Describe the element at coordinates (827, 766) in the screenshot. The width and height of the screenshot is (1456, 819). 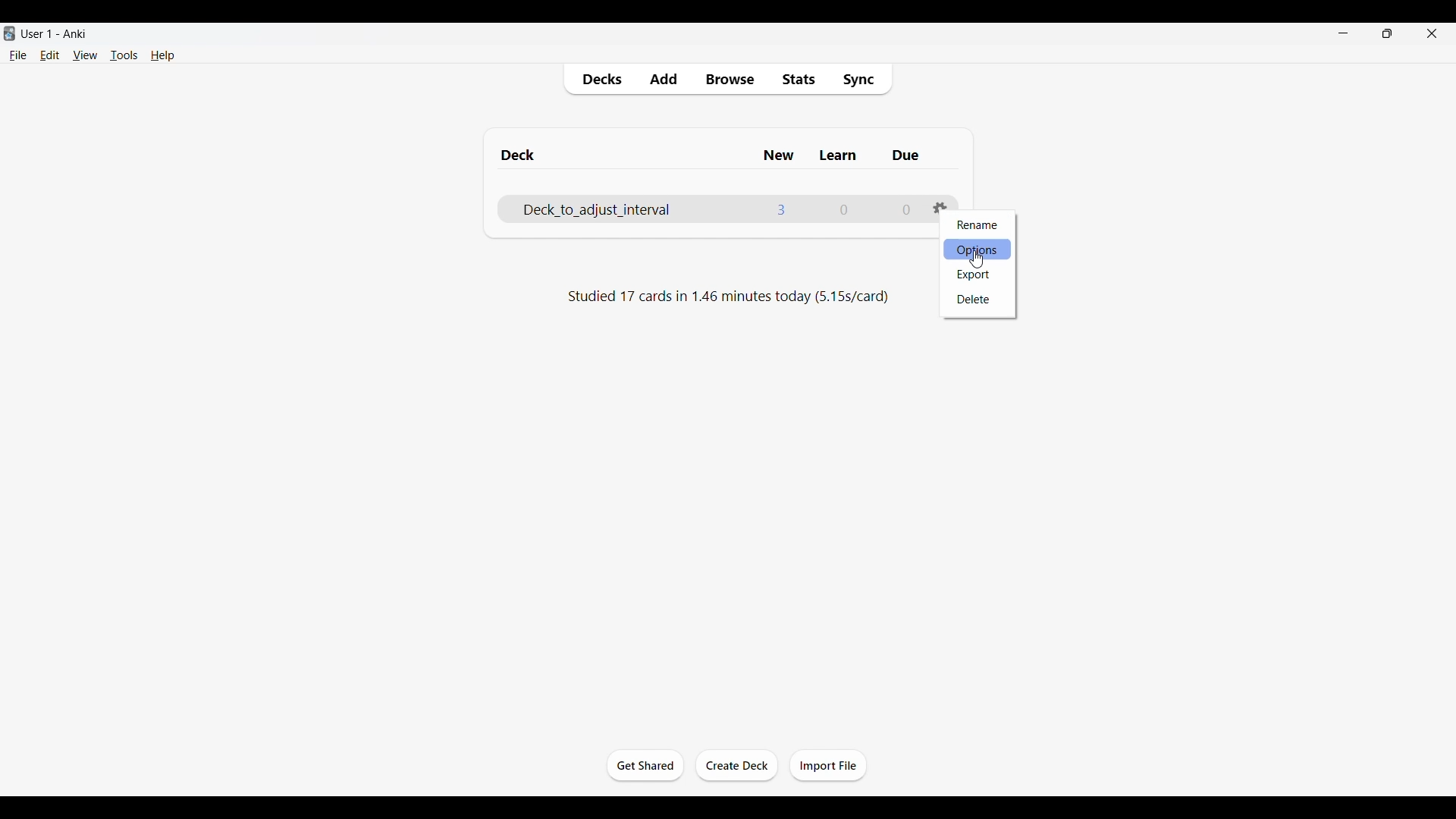
I see `Import file` at that location.